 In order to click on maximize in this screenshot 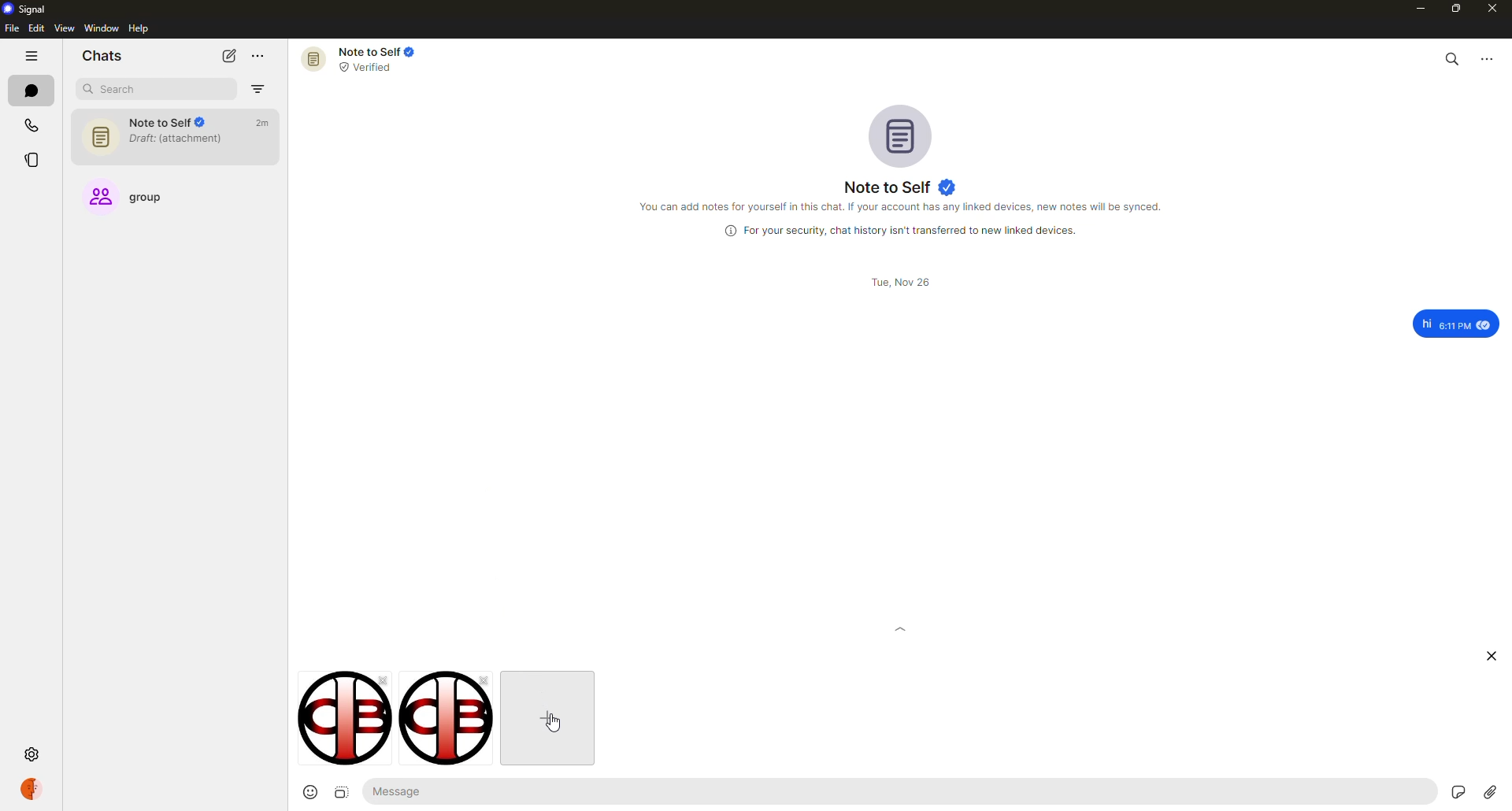, I will do `click(1456, 12)`.